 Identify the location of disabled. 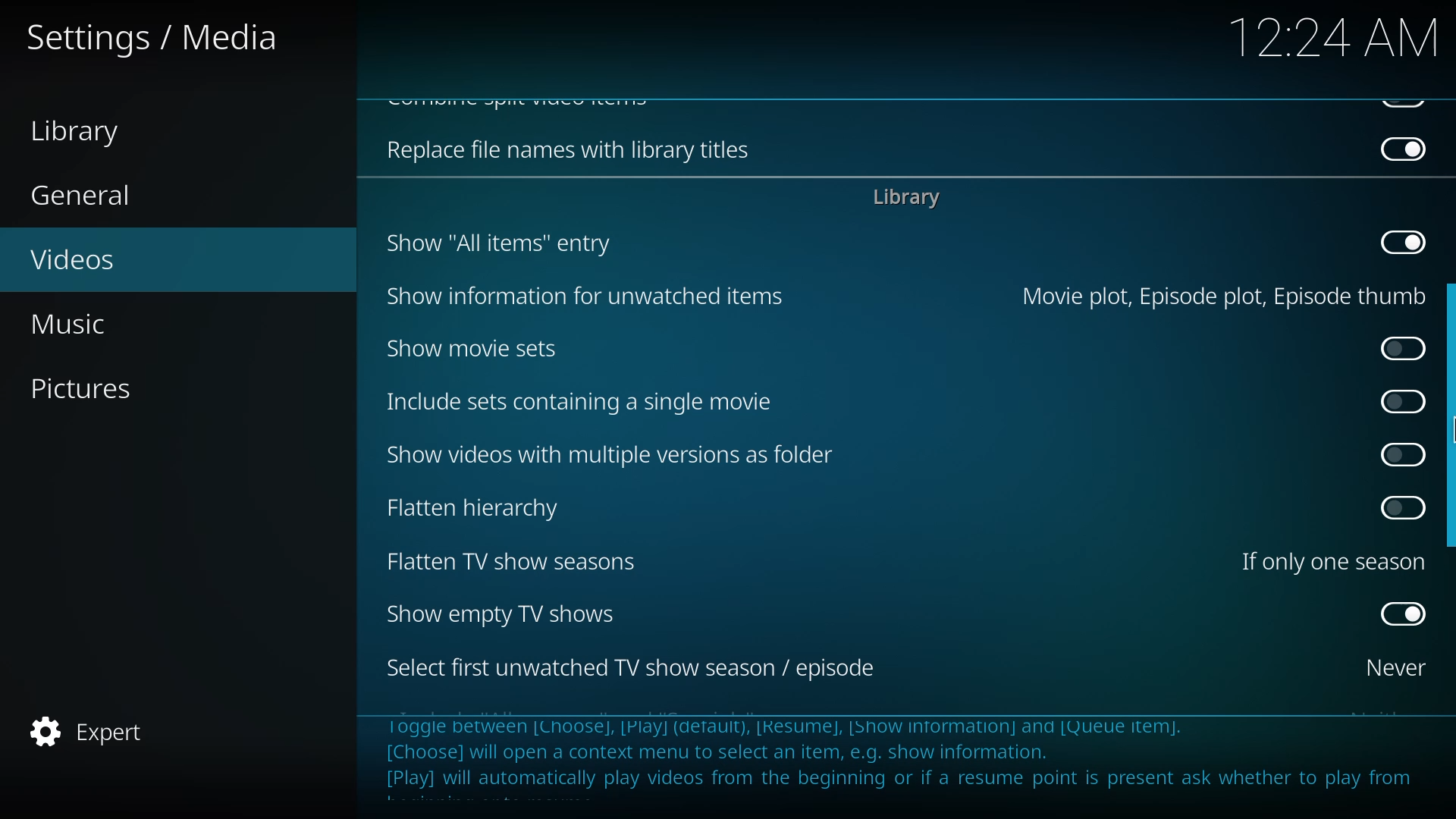
(1402, 147).